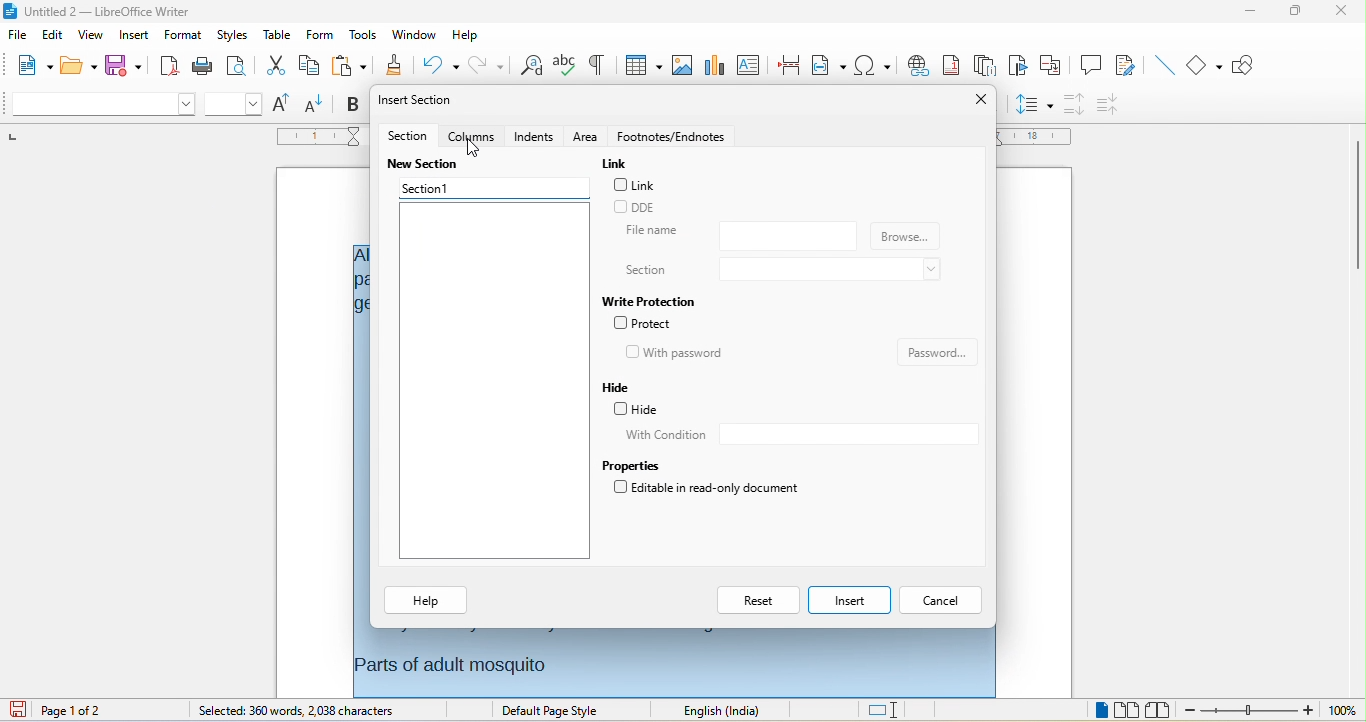  What do you see at coordinates (99, 105) in the screenshot?
I see `font name` at bounding box center [99, 105].